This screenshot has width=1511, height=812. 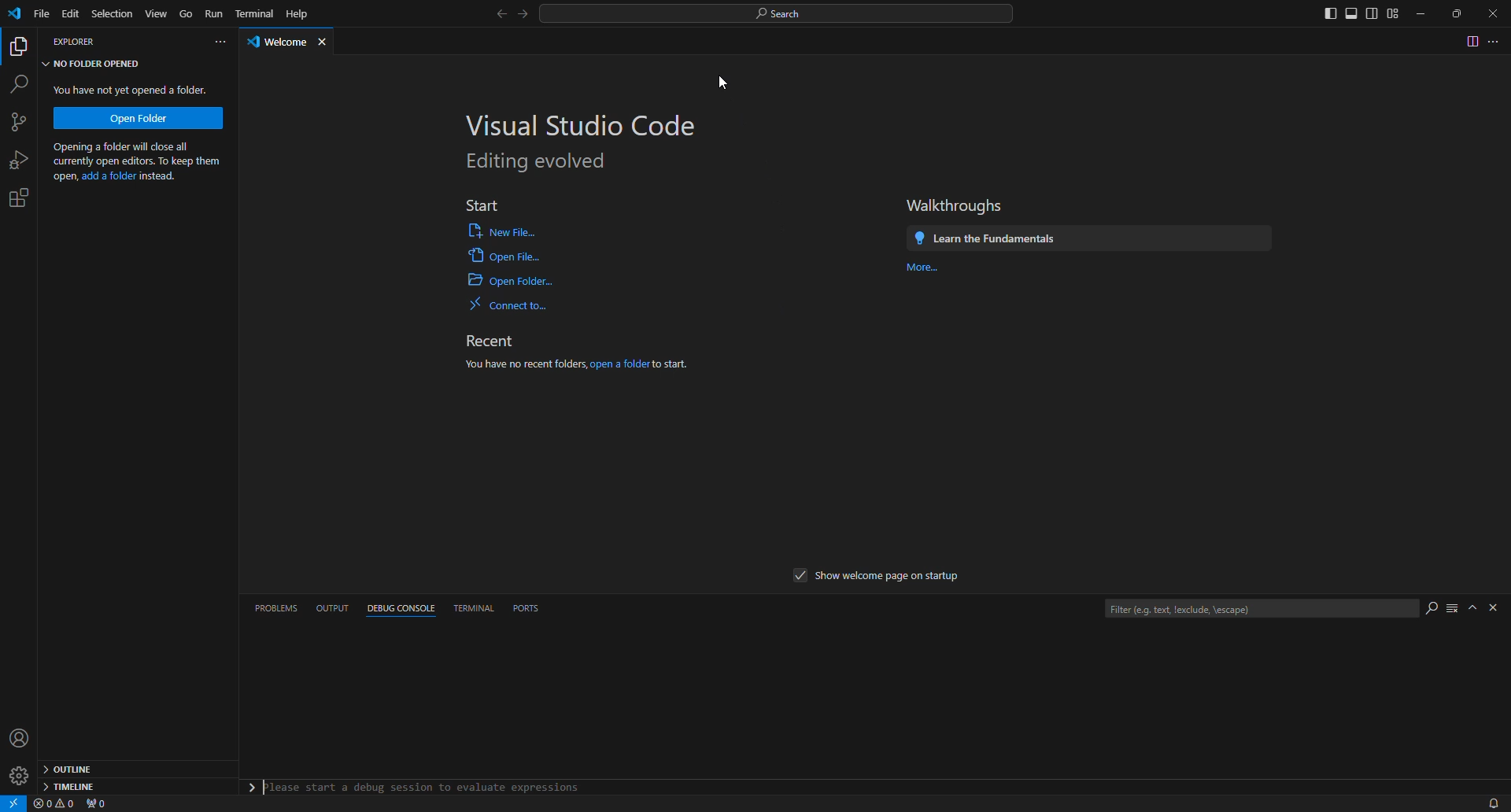 What do you see at coordinates (469, 608) in the screenshot?
I see `terminal` at bounding box center [469, 608].